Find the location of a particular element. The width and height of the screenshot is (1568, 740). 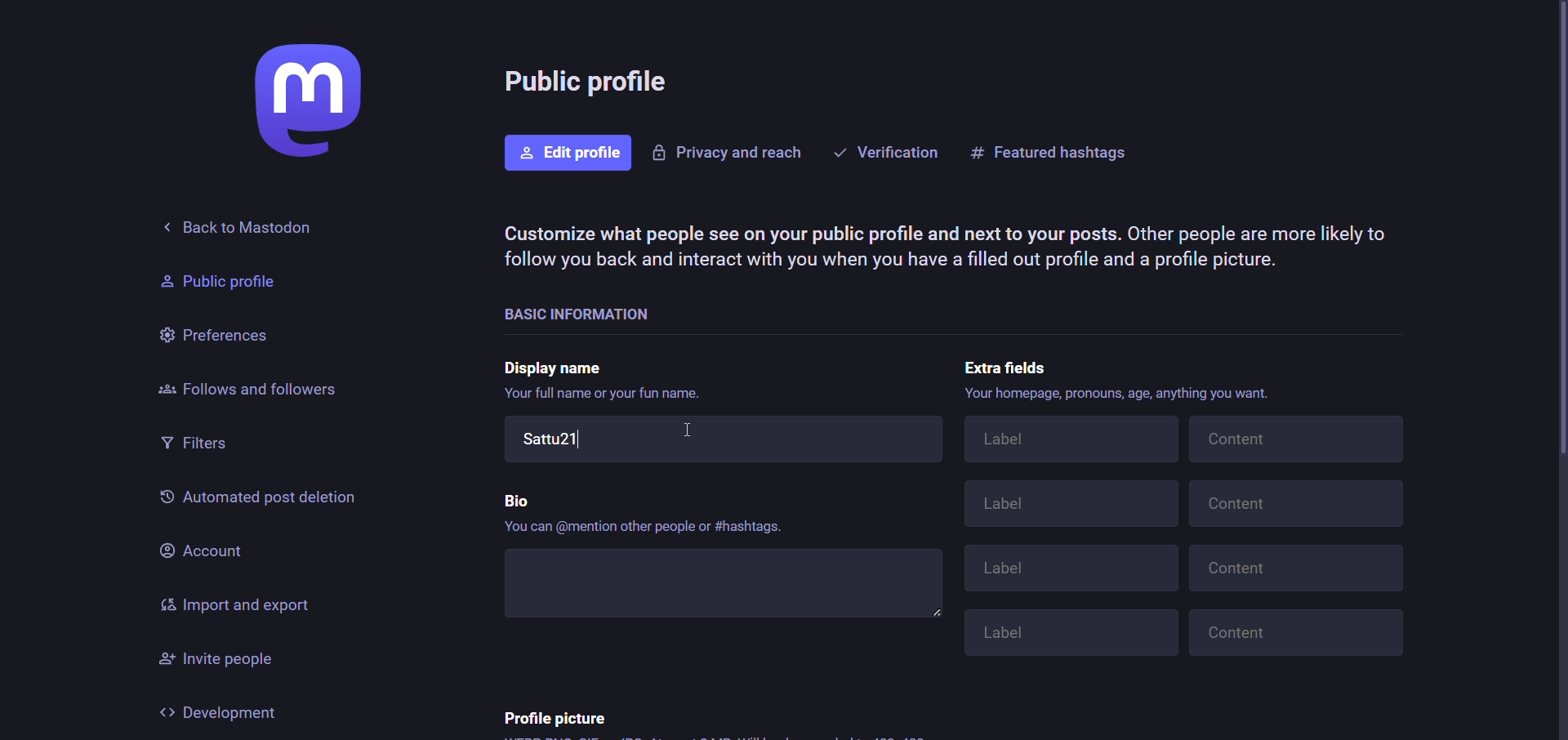

extra fields is located at coordinates (1000, 366).